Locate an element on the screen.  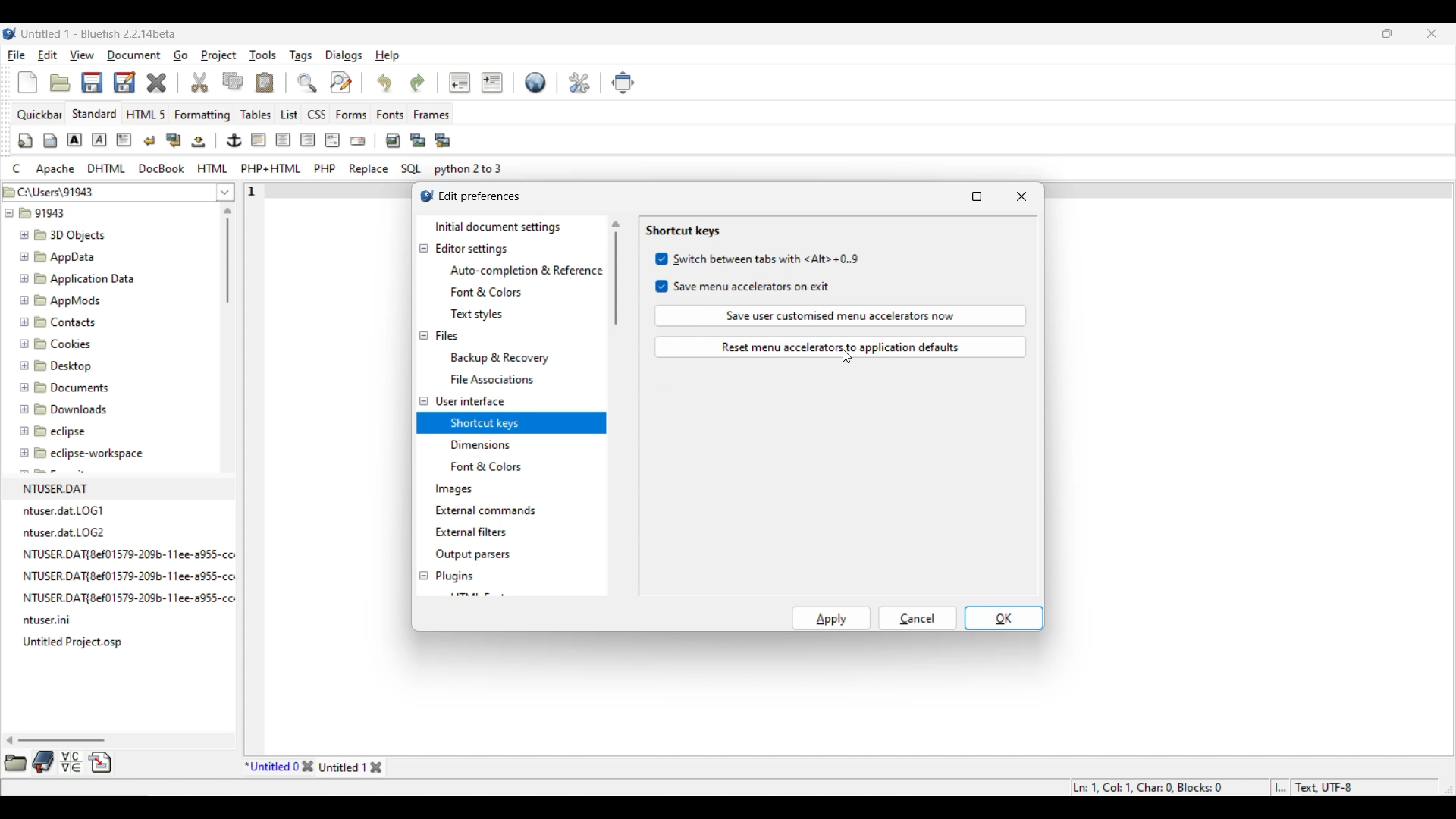
File list is located at coordinates (226, 192).